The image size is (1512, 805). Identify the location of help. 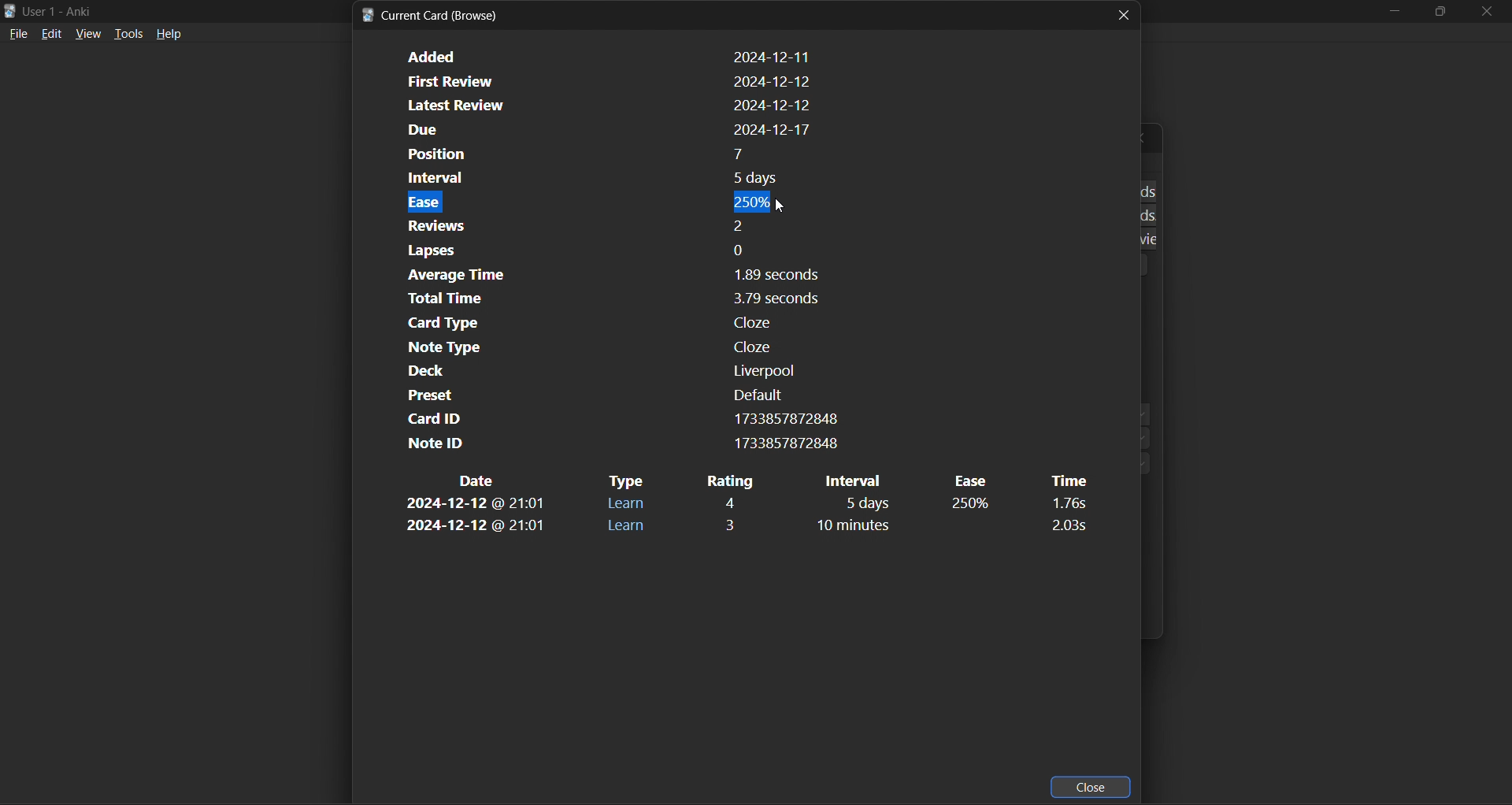
(169, 33).